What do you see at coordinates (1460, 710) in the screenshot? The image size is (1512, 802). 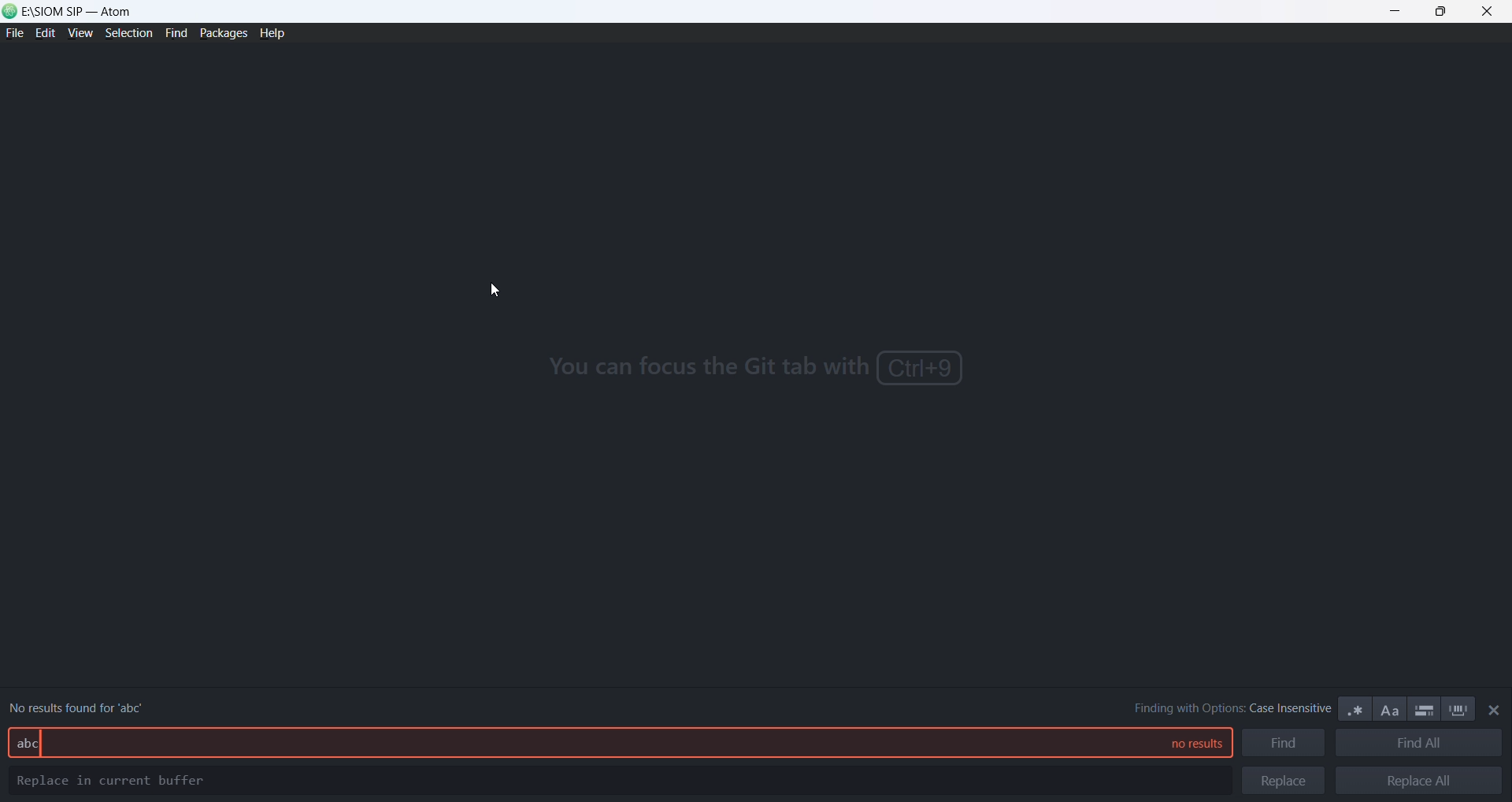 I see `whole word` at bounding box center [1460, 710].